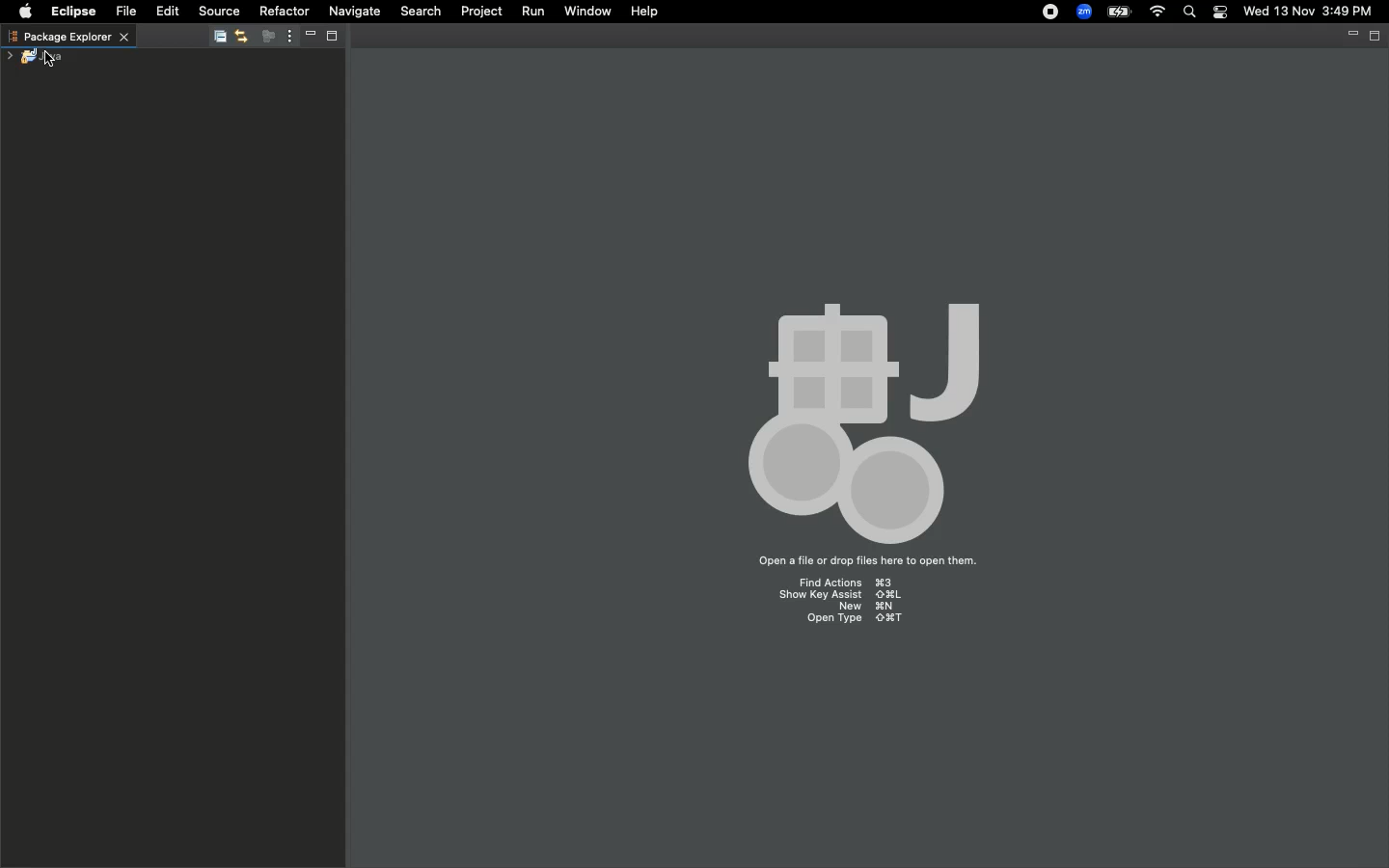 This screenshot has height=868, width=1389. What do you see at coordinates (284, 12) in the screenshot?
I see `Refactor` at bounding box center [284, 12].